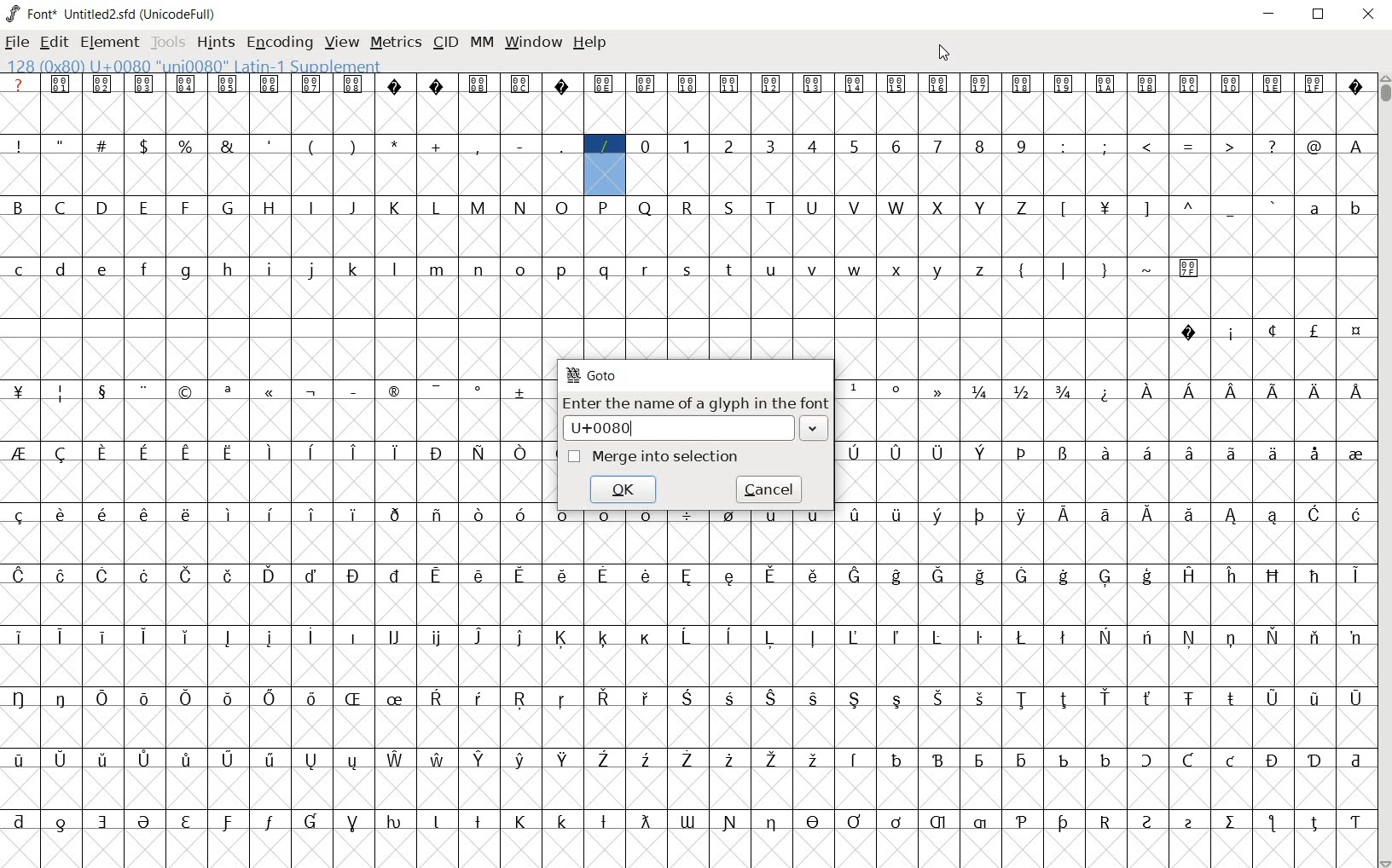 This screenshot has height=868, width=1392. Describe the element at coordinates (1147, 391) in the screenshot. I see `glyph` at that location.